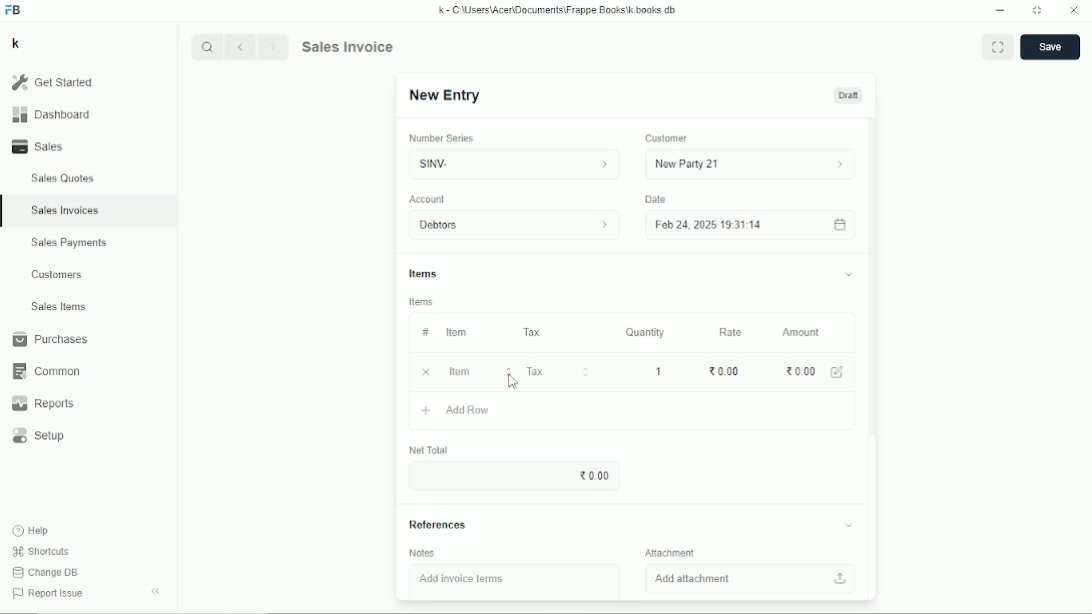 The height and width of the screenshot is (614, 1092). I want to click on Sales, so click(41, 146).